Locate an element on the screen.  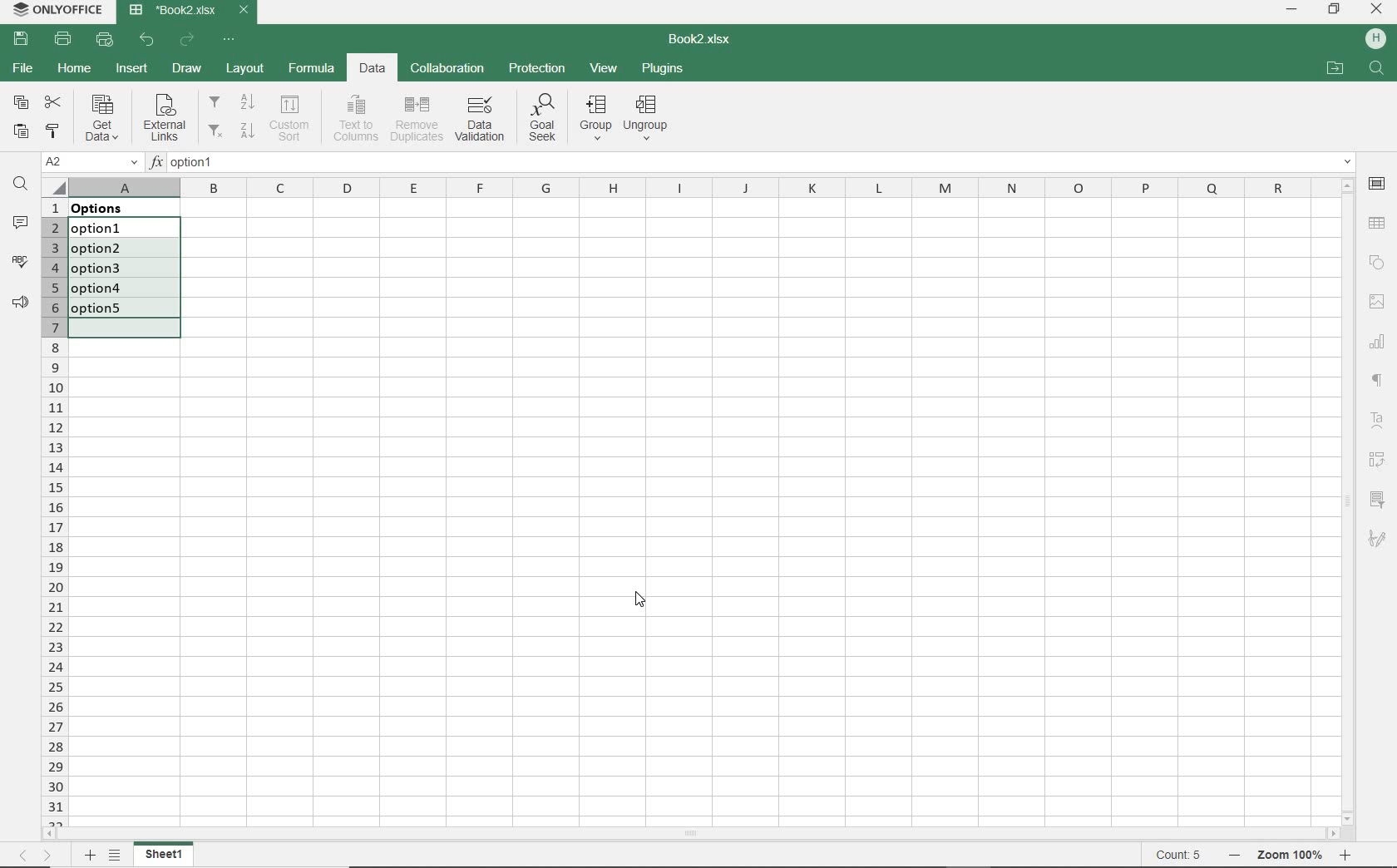
Select all is located at coordinates (54, 185).